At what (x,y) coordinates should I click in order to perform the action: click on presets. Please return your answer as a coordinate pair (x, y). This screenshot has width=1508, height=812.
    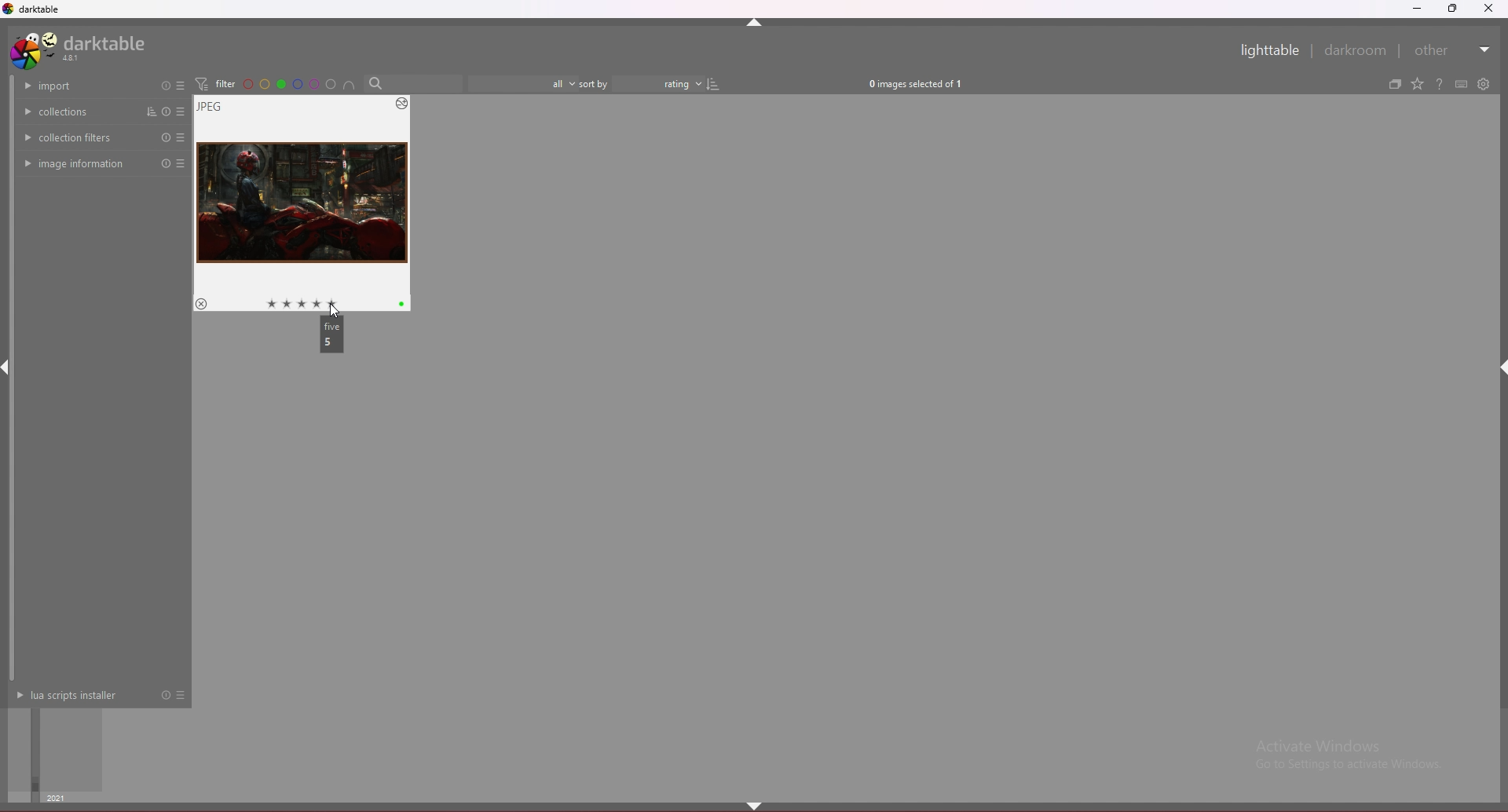
    Looking at the image, I should click on (181, 85).